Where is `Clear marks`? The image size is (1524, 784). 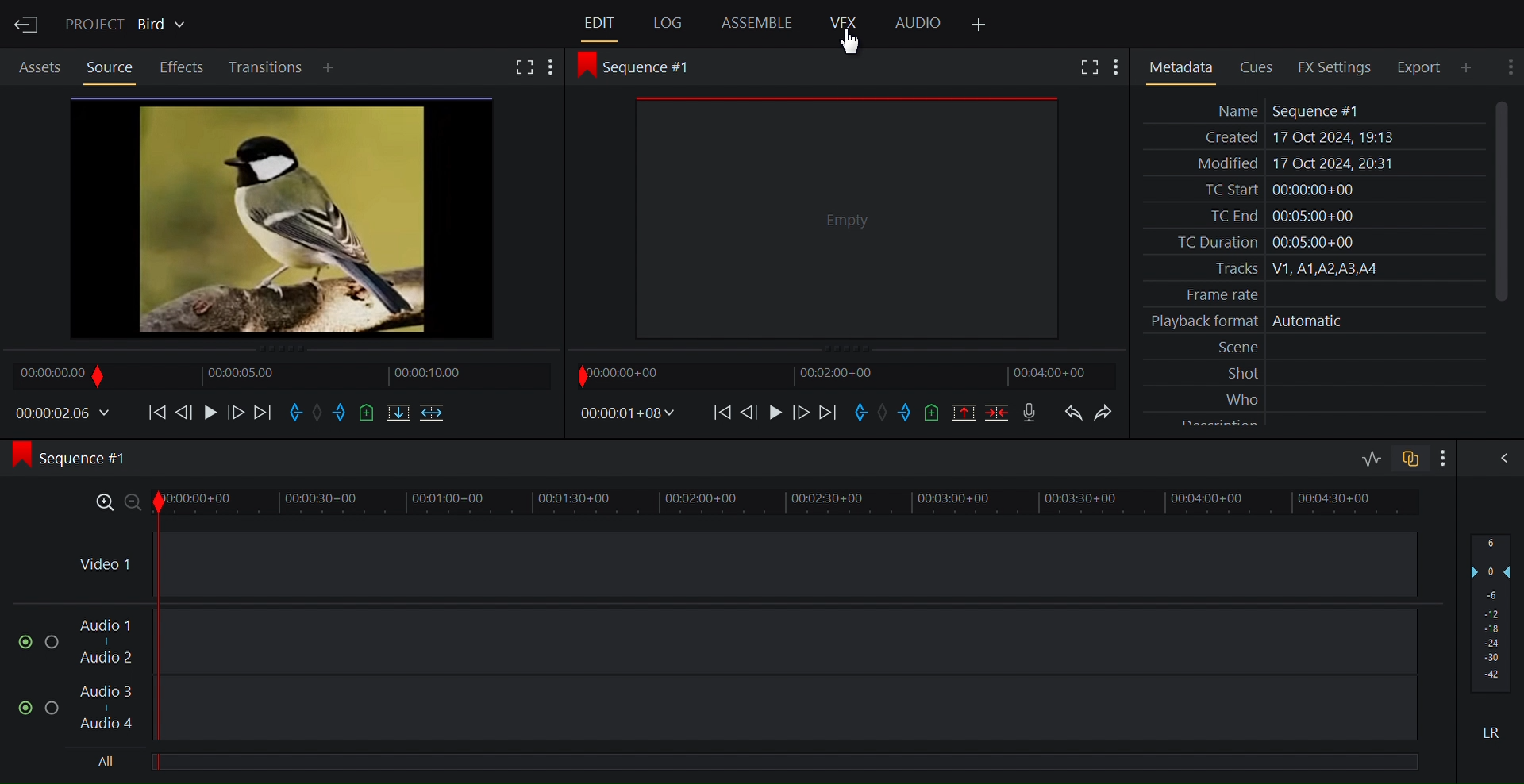 Clear marks is located at coordinates (883, 413).